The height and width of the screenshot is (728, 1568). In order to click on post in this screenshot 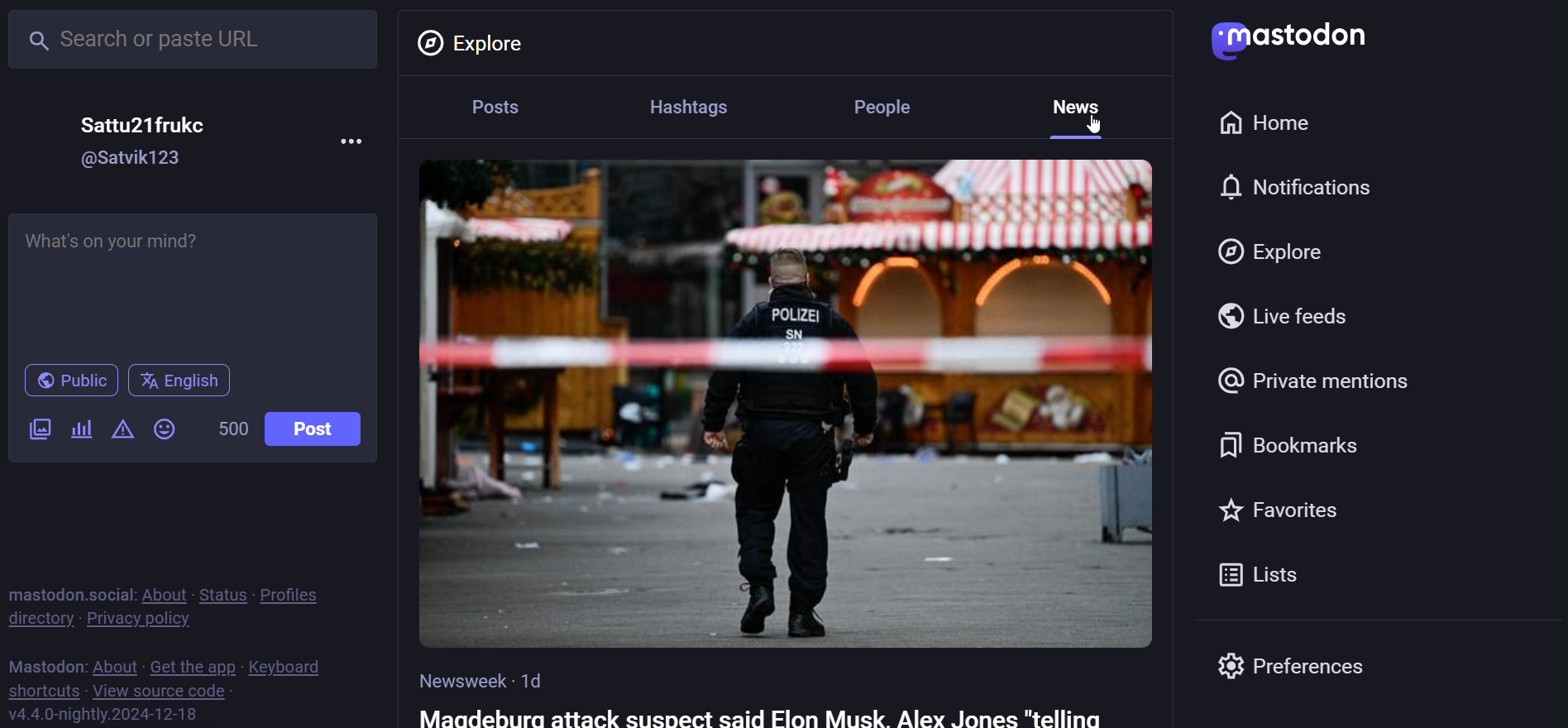, I will do `click(493, 110)`.